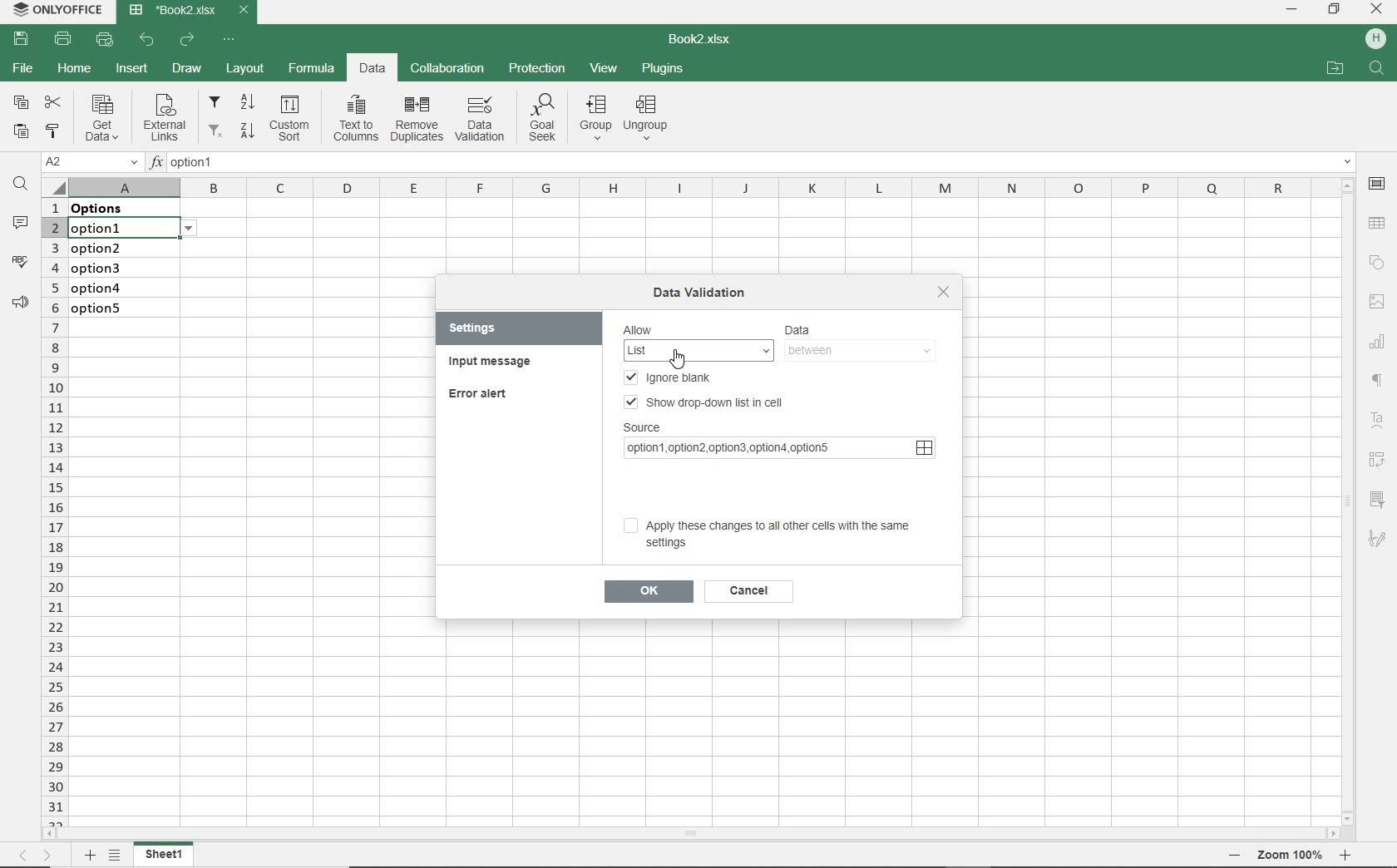  Describe the element at coordinates (663, 70) in the screenshot. I see `PLUGINS` at that location.